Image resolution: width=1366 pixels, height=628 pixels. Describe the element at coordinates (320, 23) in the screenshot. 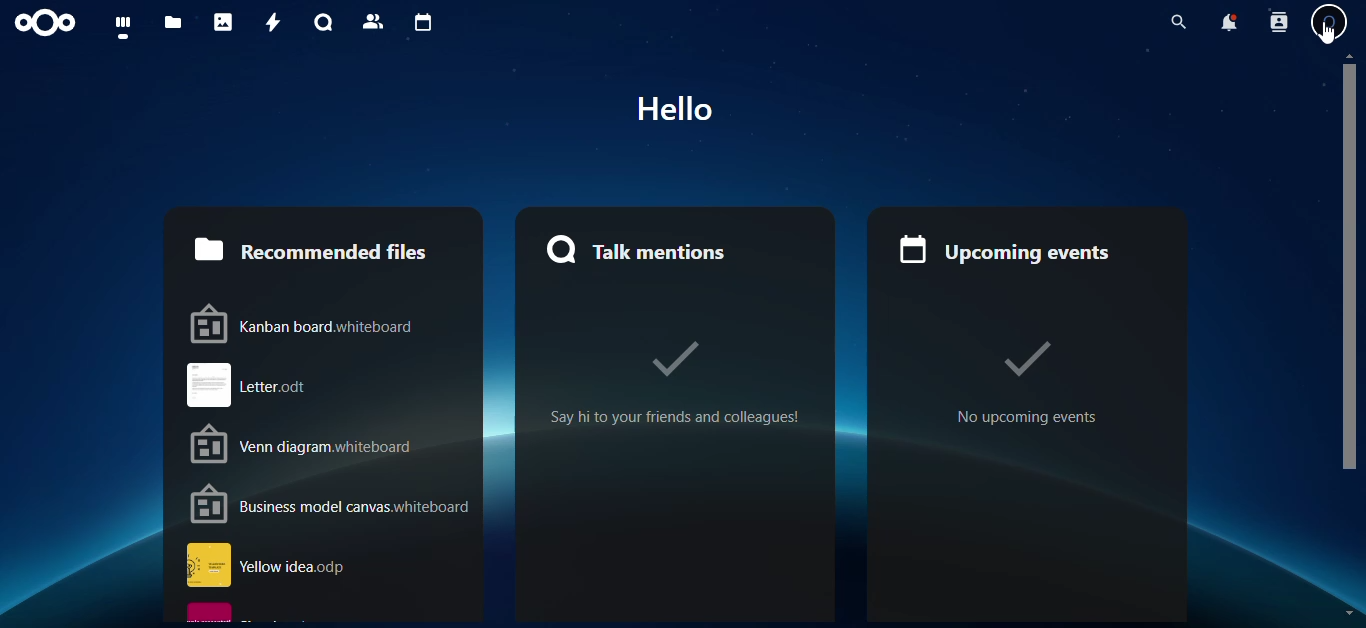

I see `talk` at that location.